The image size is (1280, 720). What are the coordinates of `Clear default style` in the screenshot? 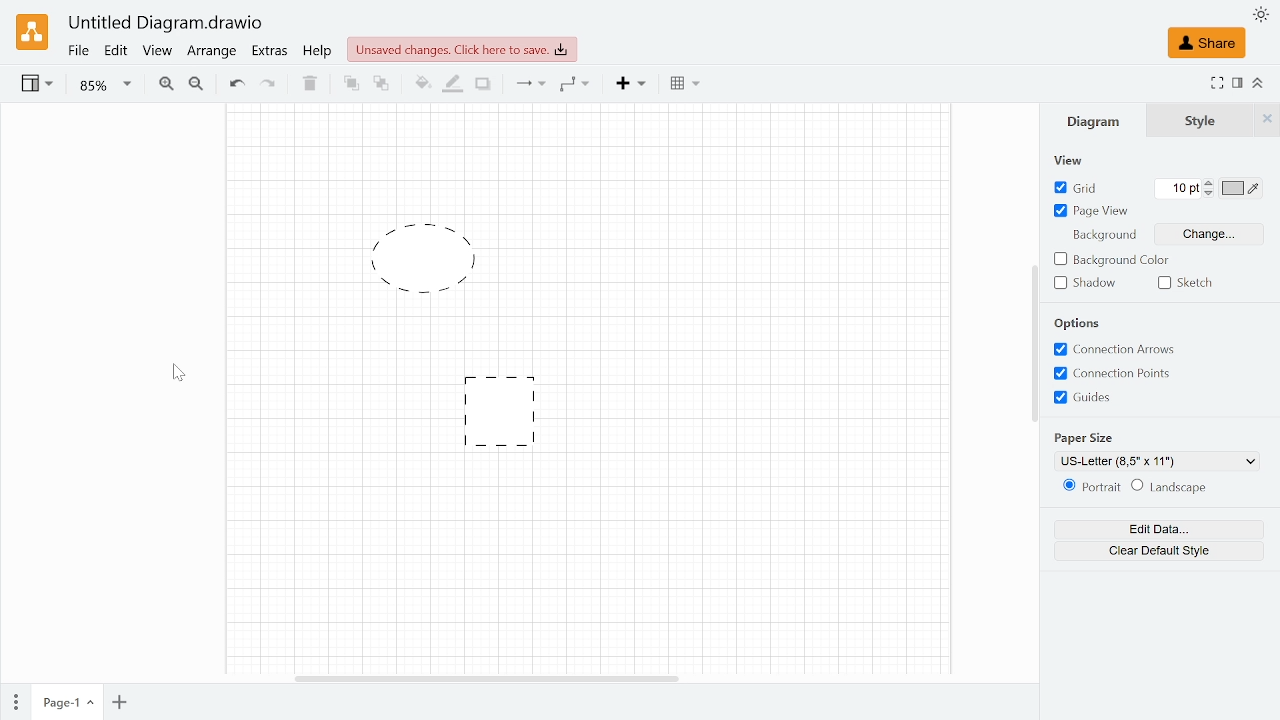 It's located at (1158, 551).